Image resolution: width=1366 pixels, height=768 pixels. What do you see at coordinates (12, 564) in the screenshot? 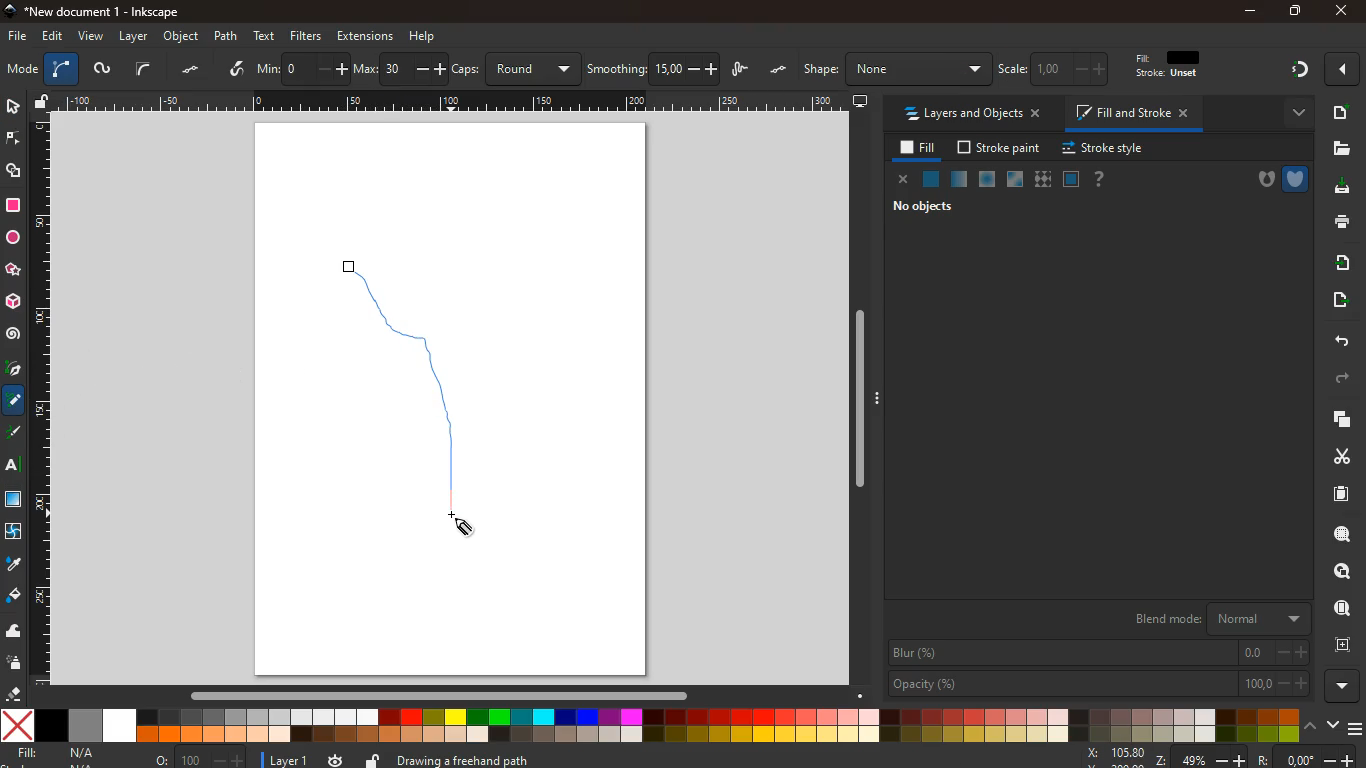
I see `drop` at bounding box center [12, 564].